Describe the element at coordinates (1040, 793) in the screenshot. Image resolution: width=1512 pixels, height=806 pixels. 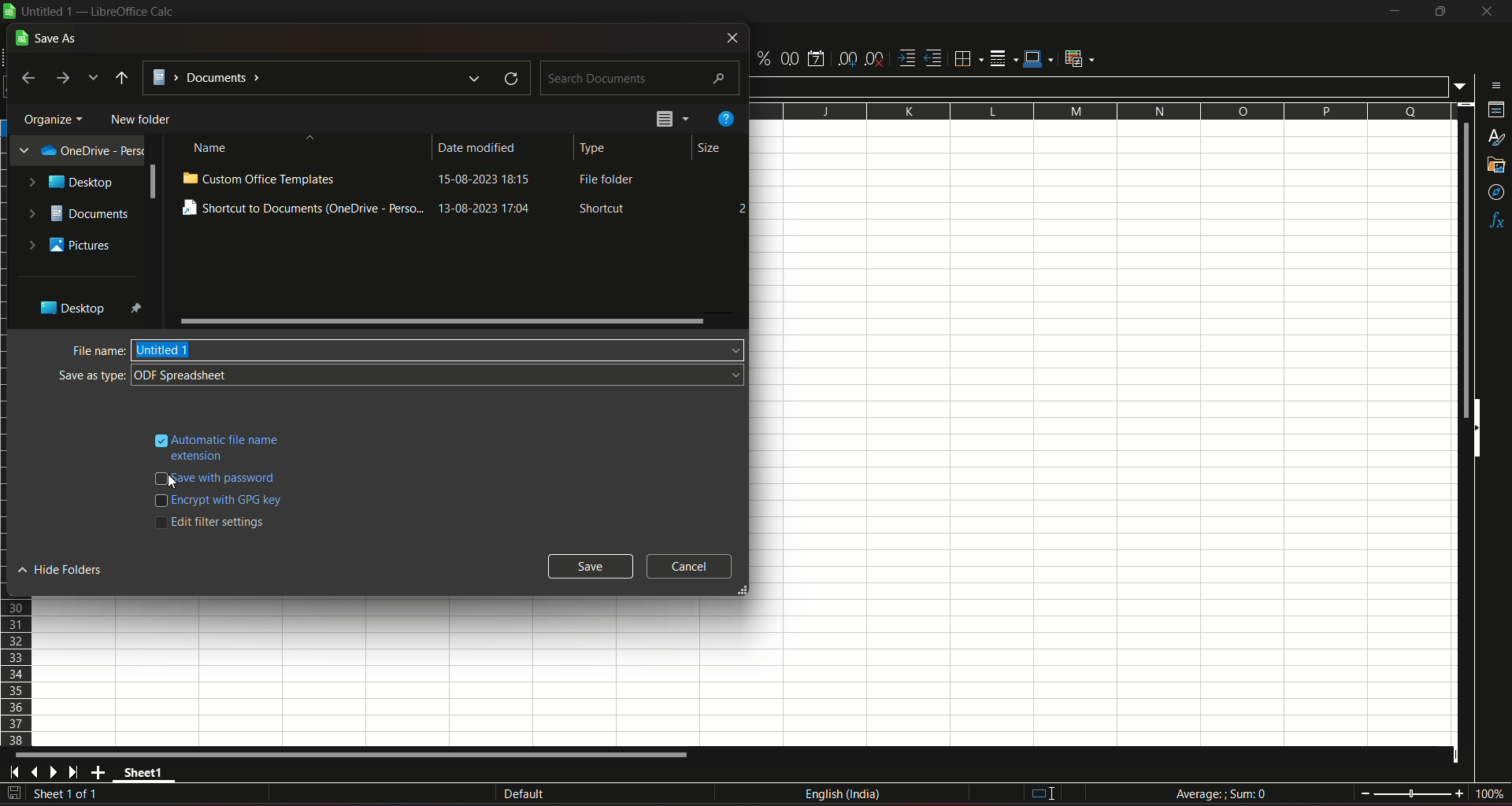
I see `standard selection` at that location.